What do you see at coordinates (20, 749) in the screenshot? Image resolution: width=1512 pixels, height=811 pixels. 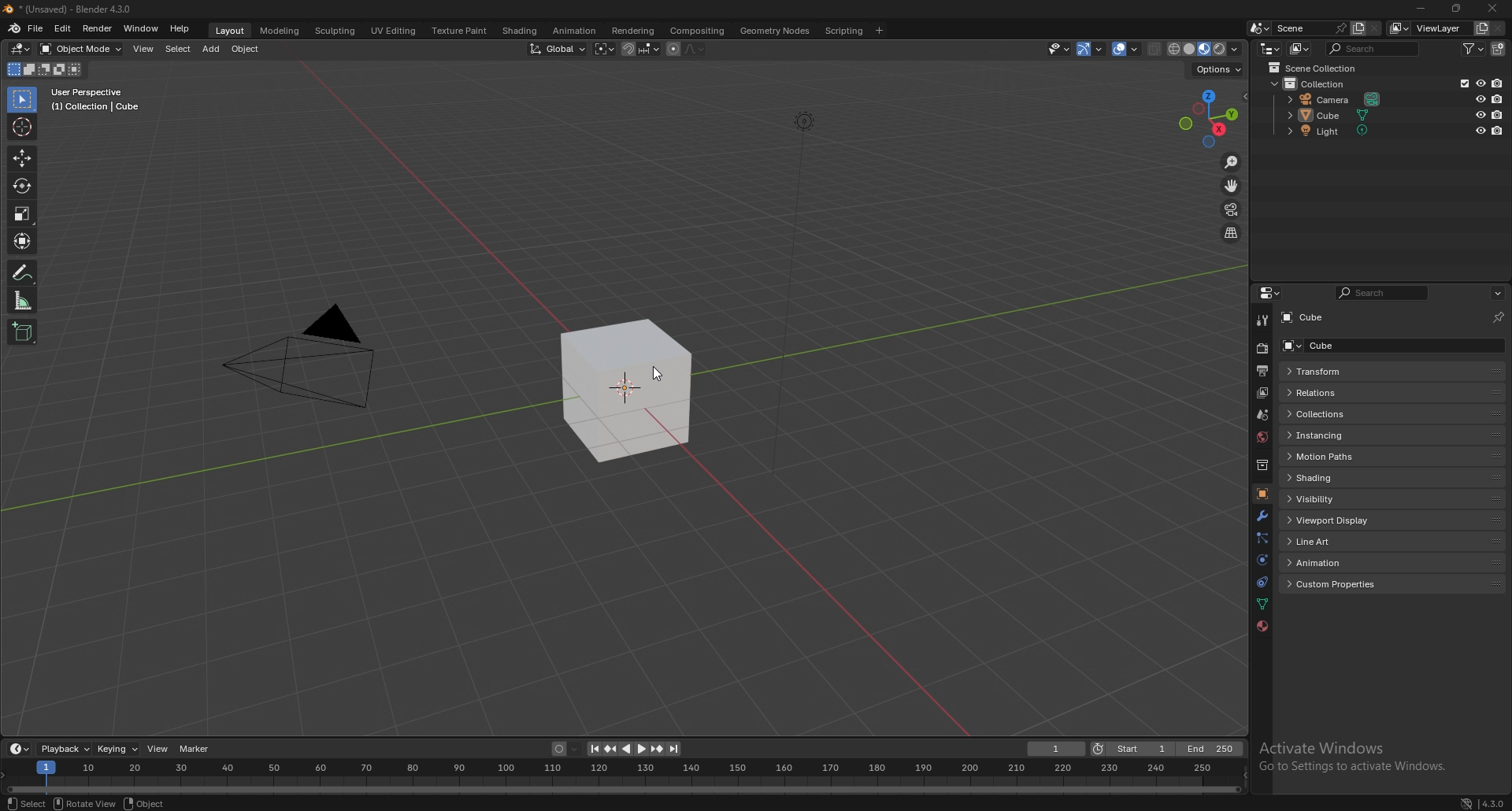 I see `editor type` at bounding box center [20, 749].